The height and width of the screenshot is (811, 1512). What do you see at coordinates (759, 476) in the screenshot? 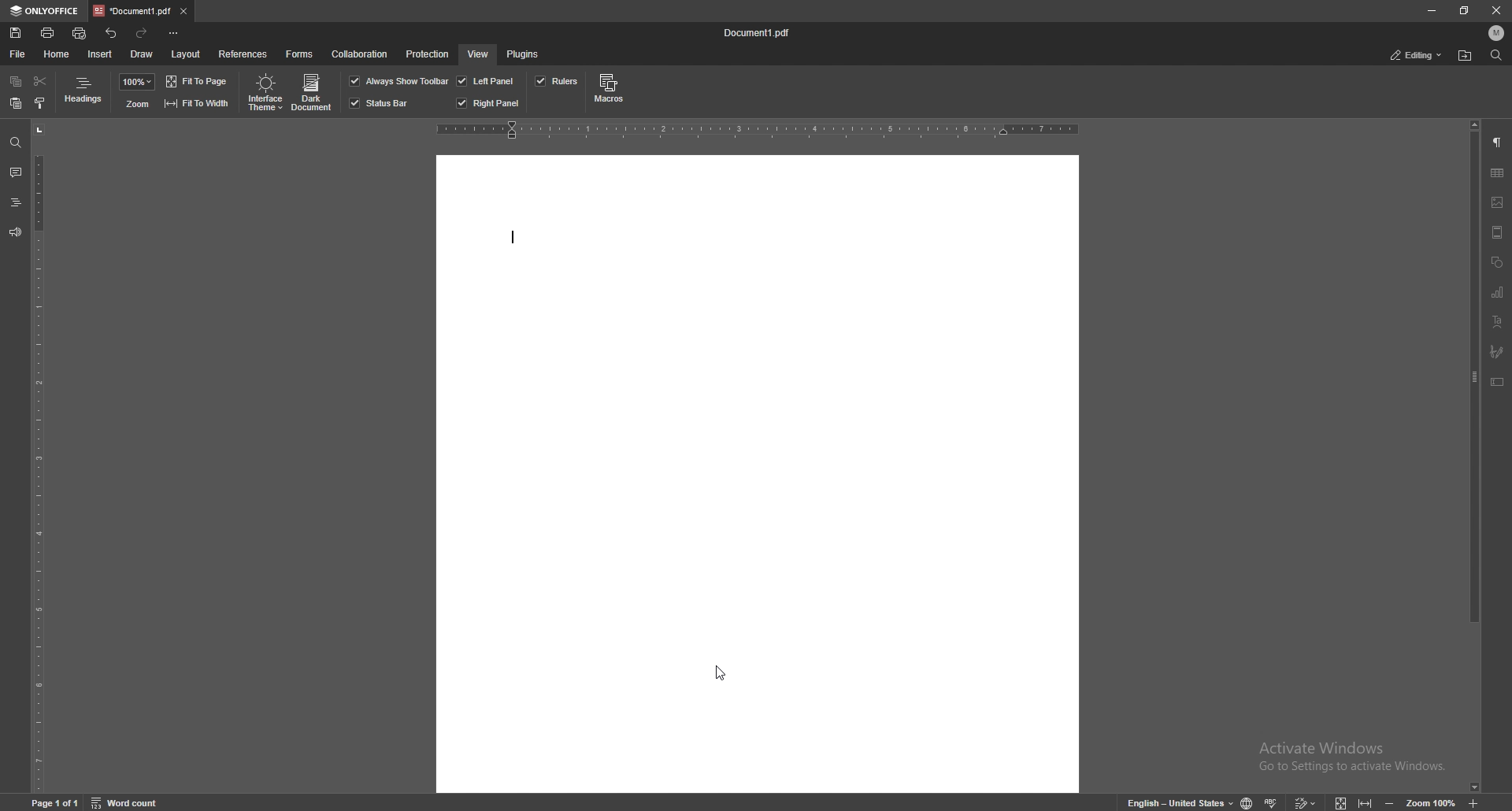
I see `document` at bounding box center [759, 476].